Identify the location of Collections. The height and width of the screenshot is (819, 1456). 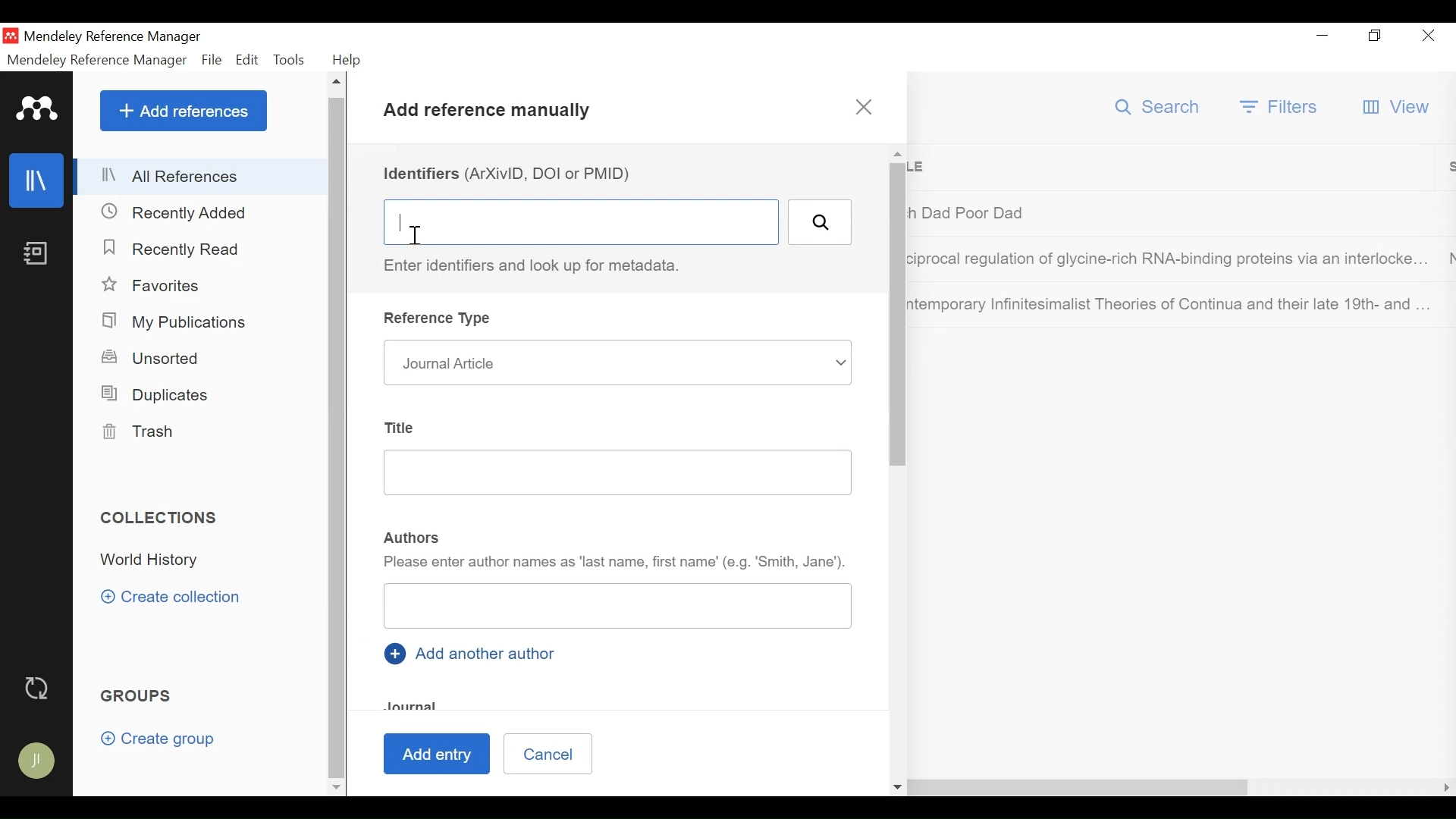
(161, 517).